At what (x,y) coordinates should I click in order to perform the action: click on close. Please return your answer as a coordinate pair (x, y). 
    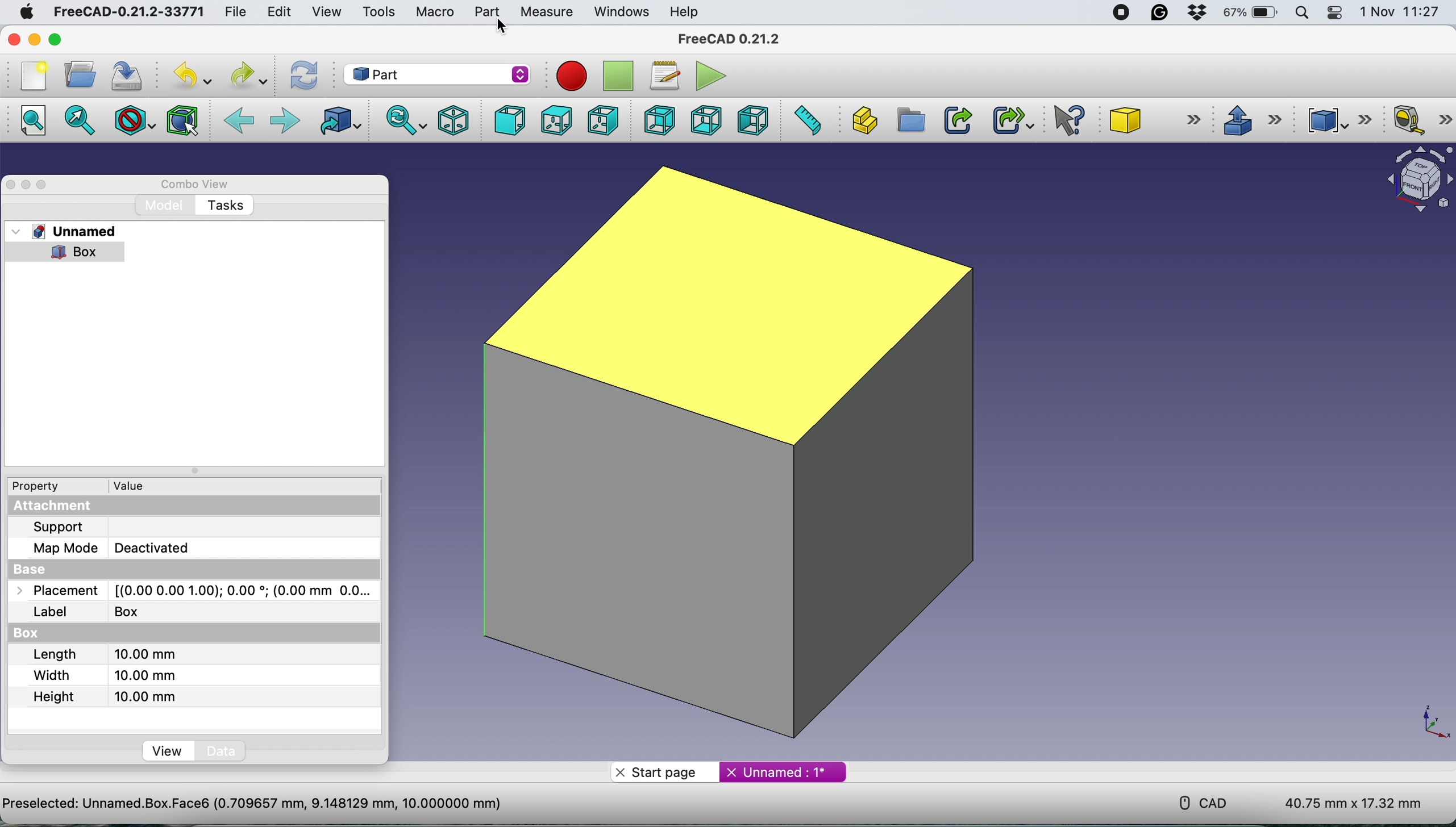
    Looking at the image, I should click on (12, 185).